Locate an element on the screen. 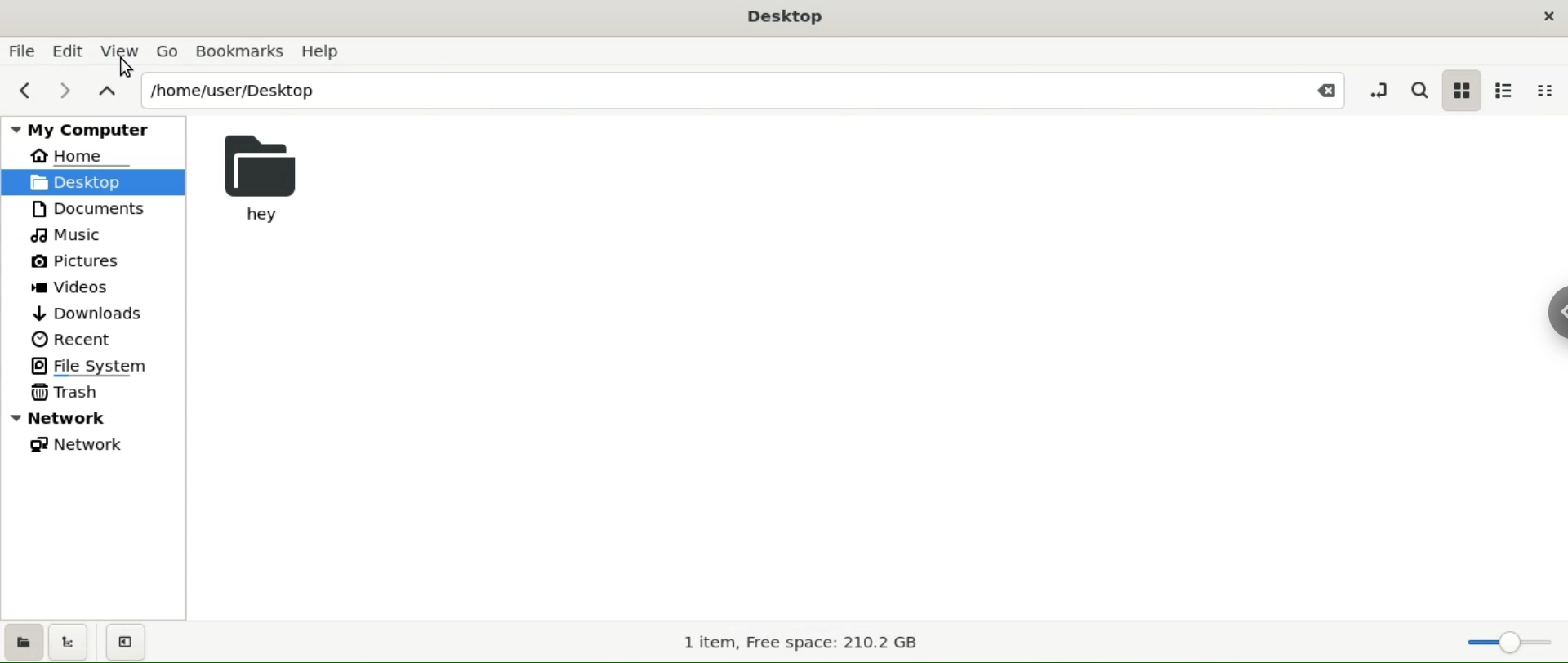  next is located at coordinates (67, 91).